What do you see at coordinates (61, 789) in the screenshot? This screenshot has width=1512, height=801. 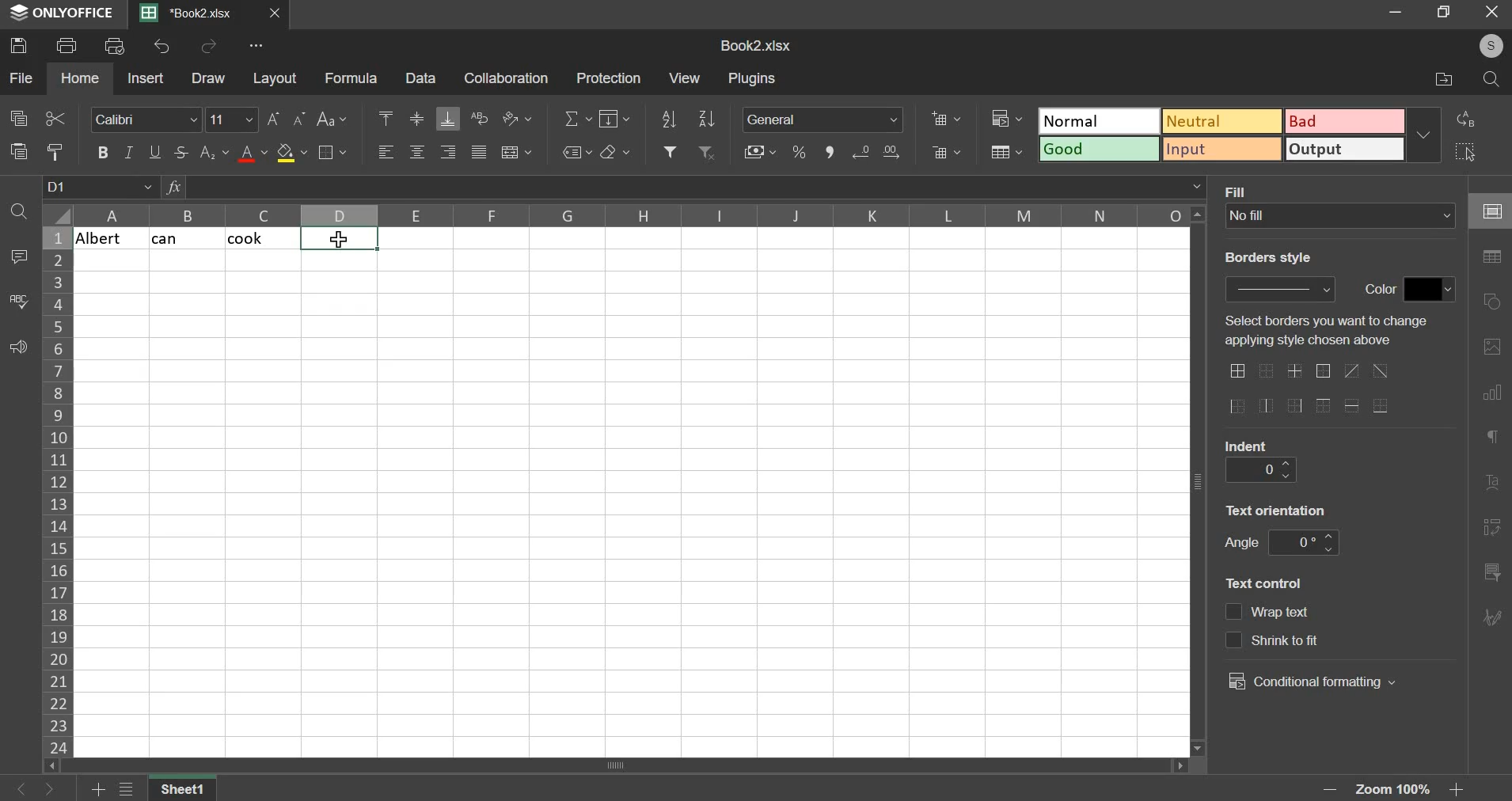 I see `go forward` at bounding box center [61, 789].